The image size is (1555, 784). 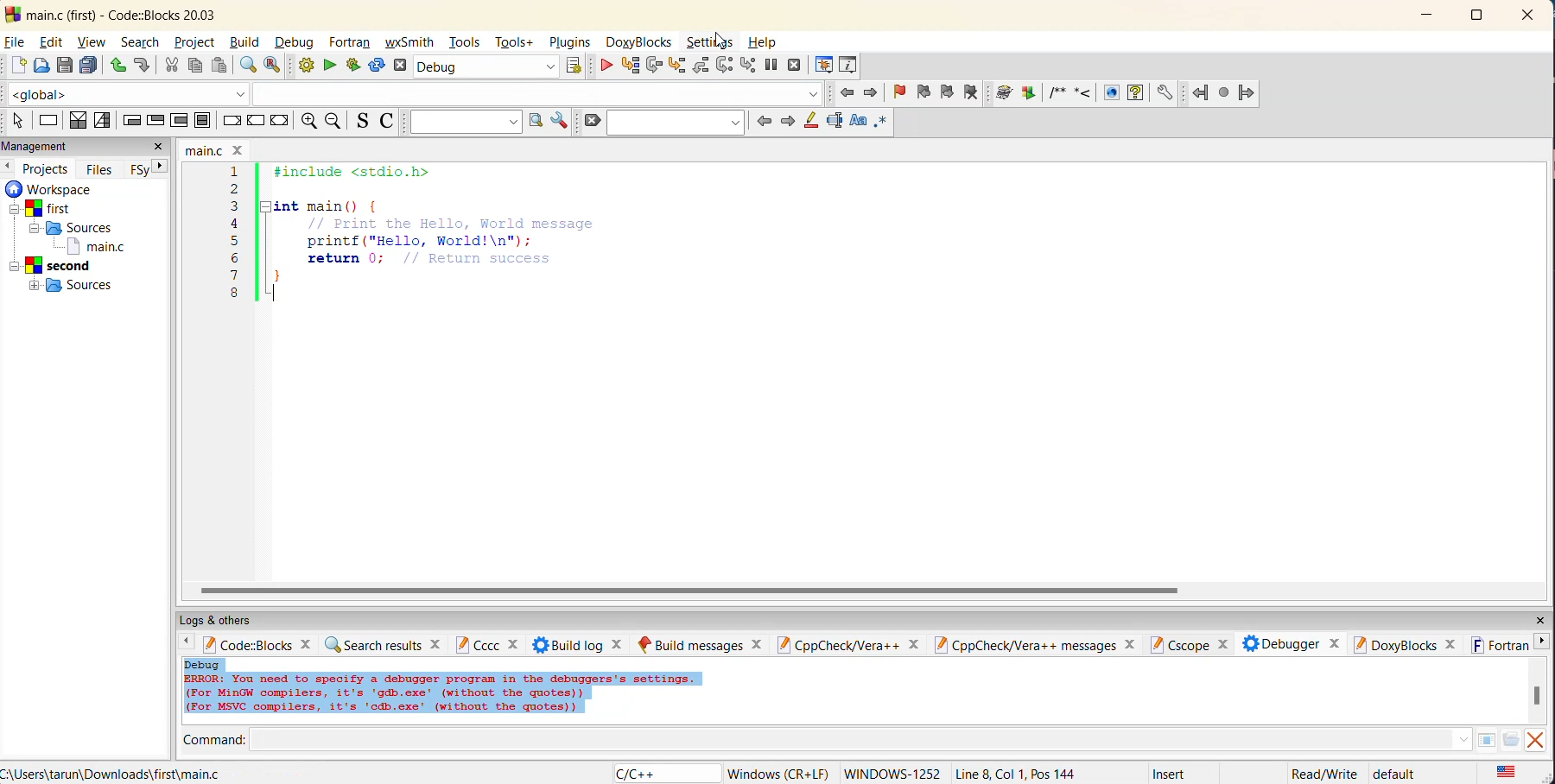 What do you see at coordinates (765, 123) in the screenshot?
I see `previous` at bounding box center [765, 123].